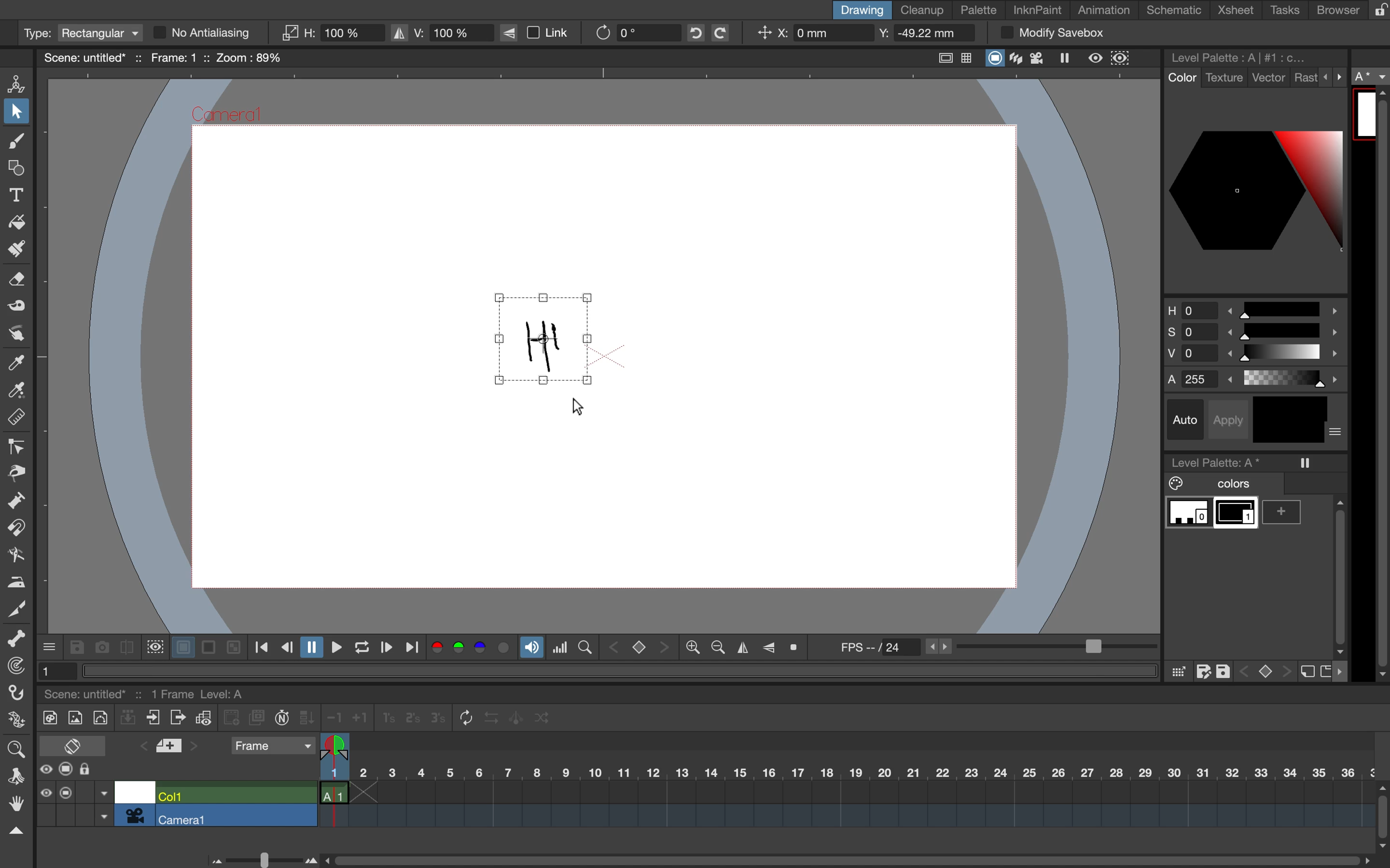  Describe the element at coordinates (1069, 60) in the screenshot. I see `freeze` at that location.